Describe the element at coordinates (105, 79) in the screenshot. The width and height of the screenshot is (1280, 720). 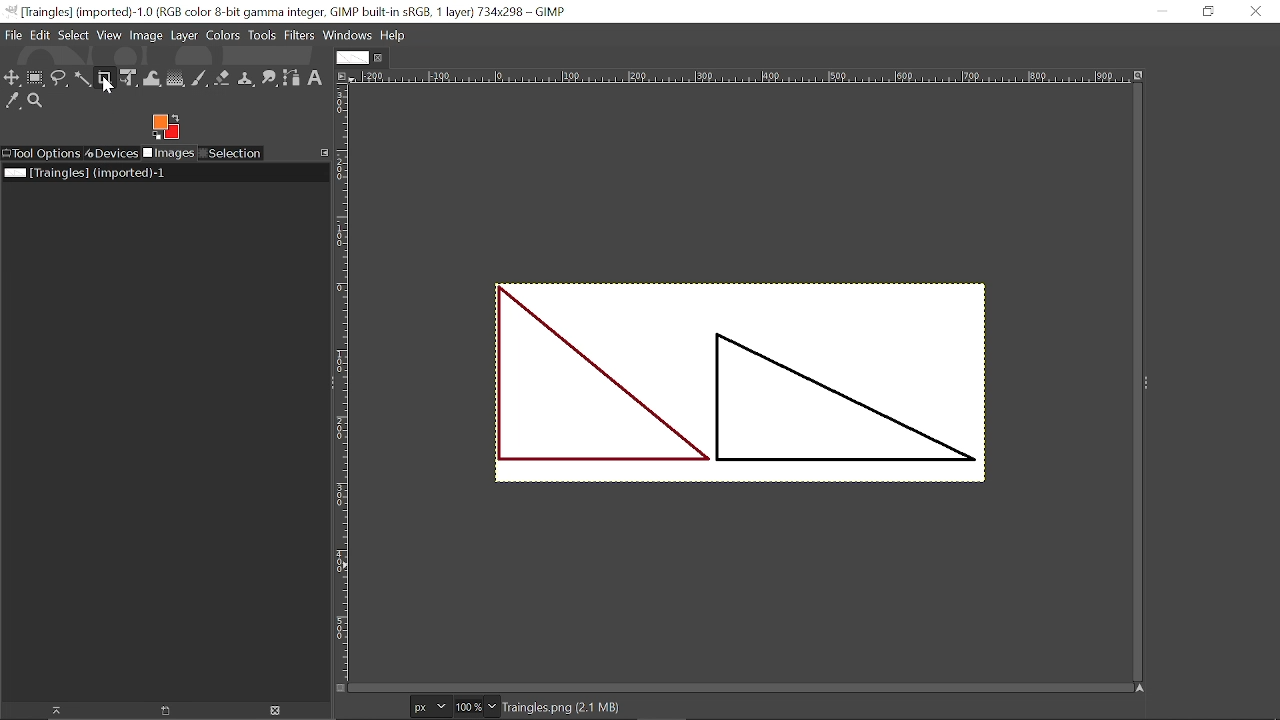
I see `Crop tool` at that location.